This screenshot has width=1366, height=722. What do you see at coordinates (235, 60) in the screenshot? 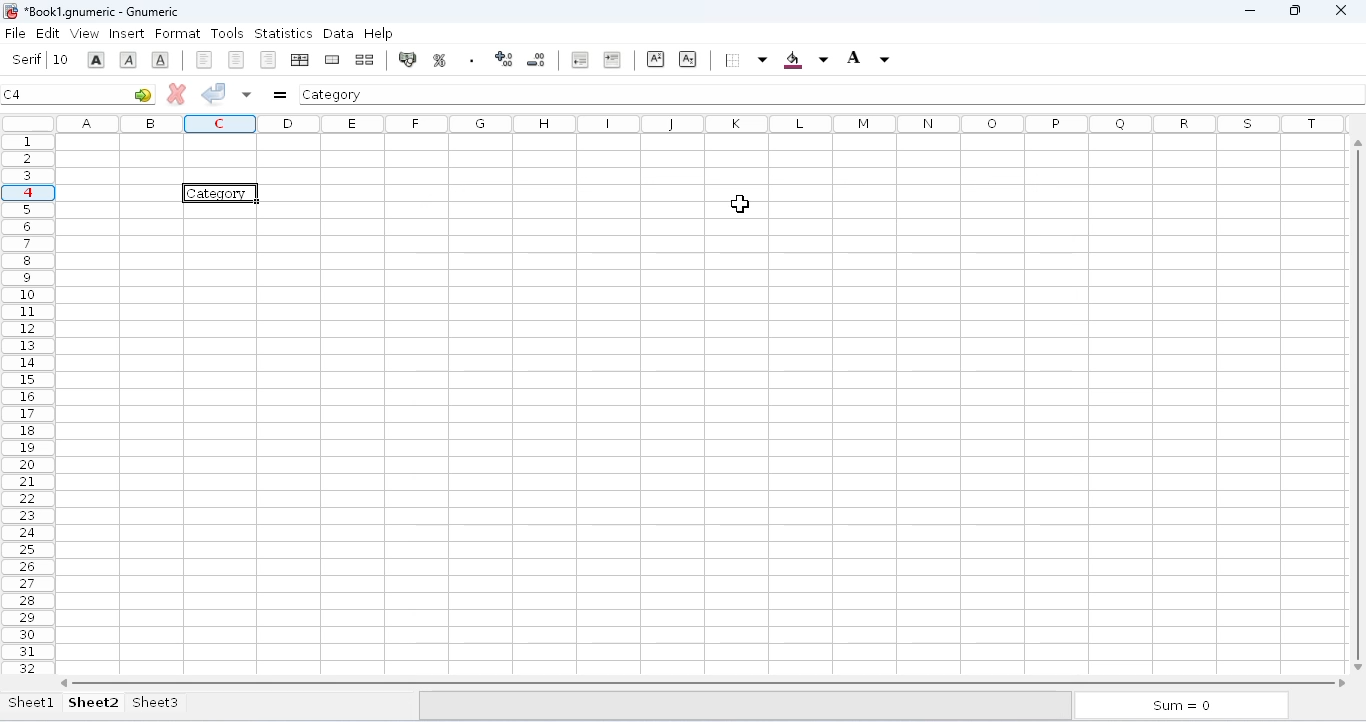
I see `align left` at bounding box center [235, 60].